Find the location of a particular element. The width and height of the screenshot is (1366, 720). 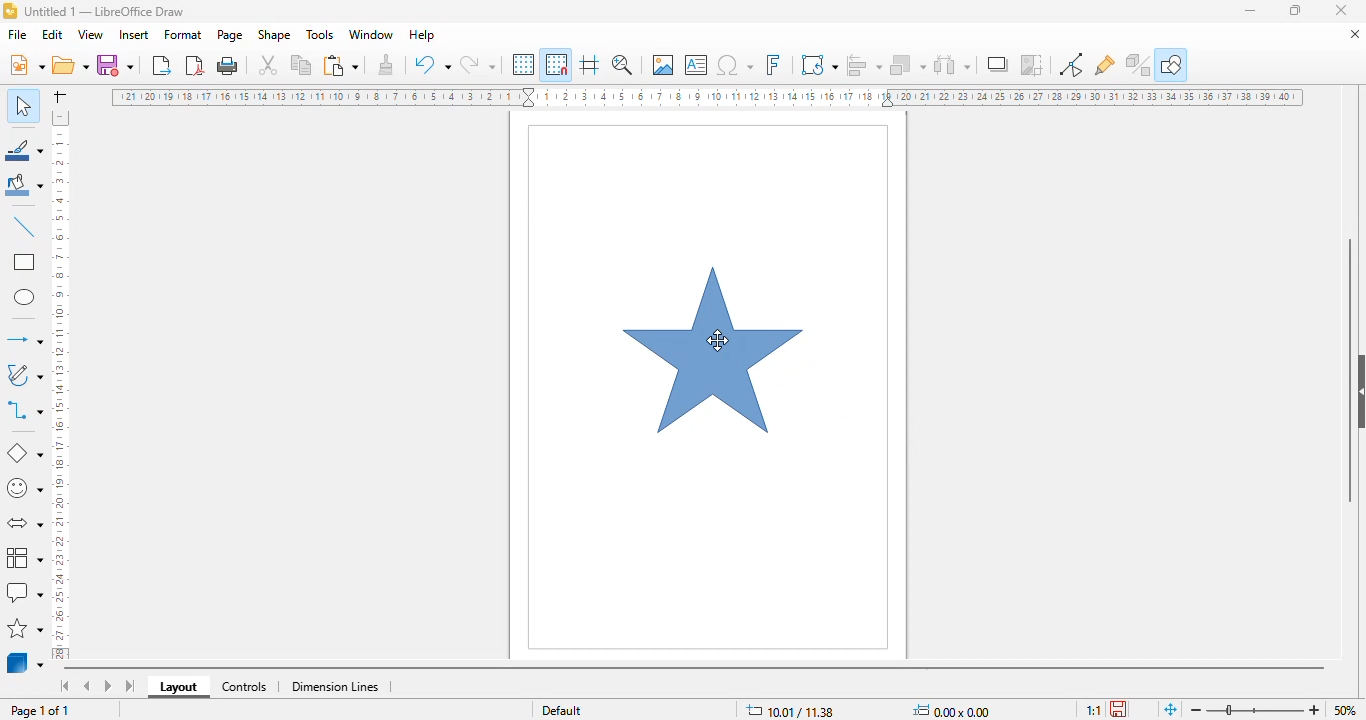

window is located at coordinates (371, 34).